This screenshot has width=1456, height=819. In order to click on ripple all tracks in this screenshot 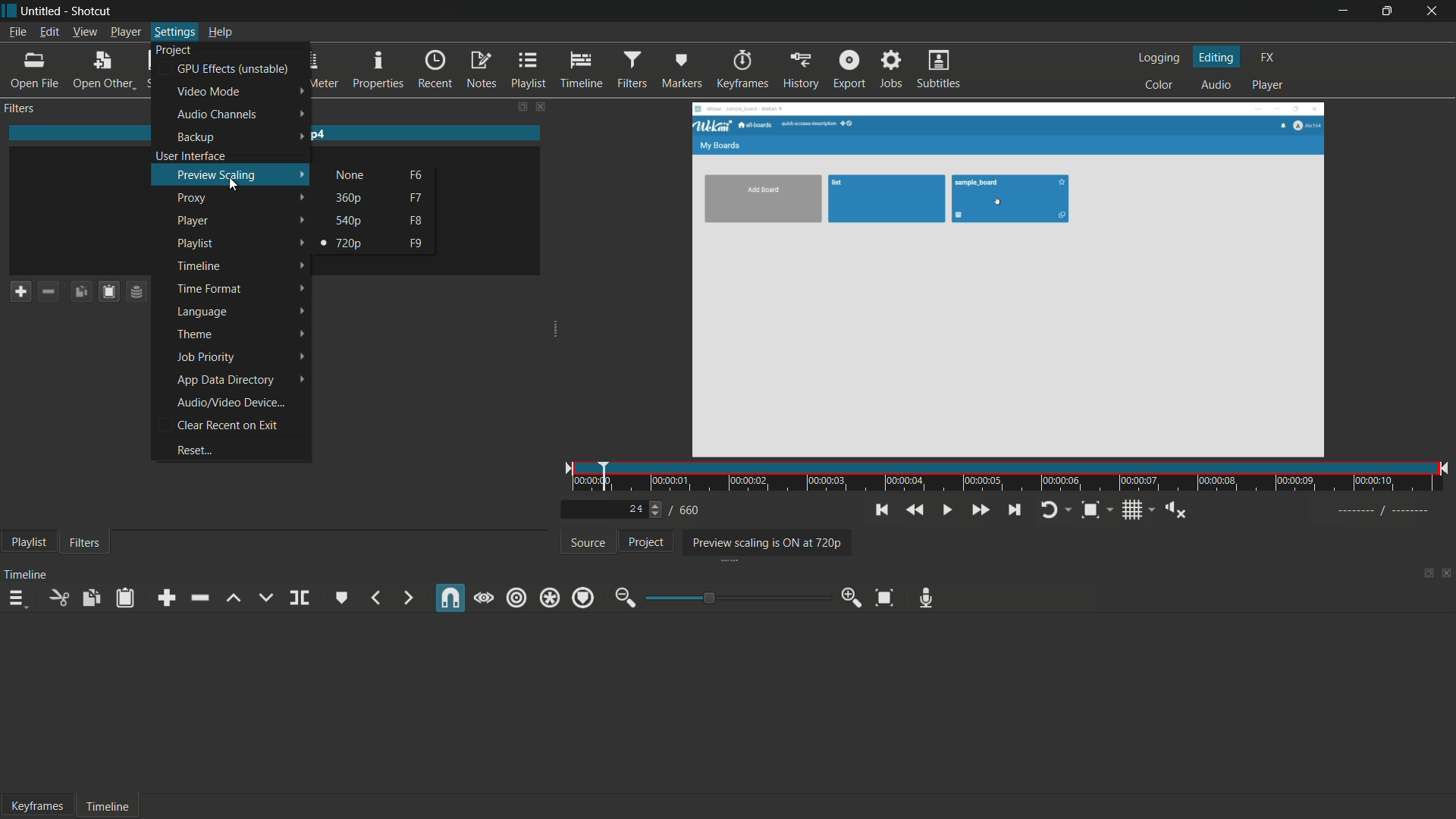, I will do `click(549, 598)`.